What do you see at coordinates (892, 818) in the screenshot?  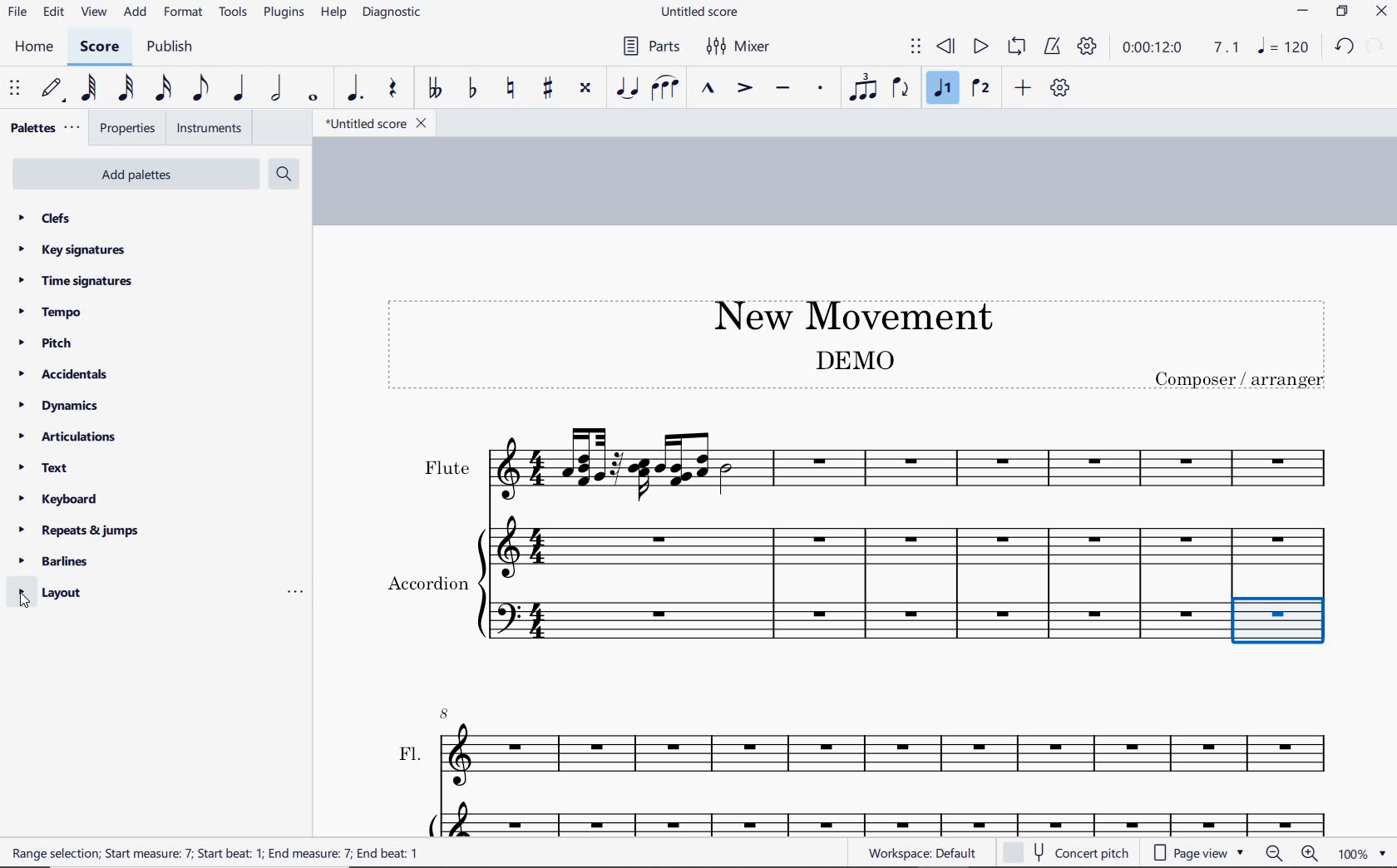 I see `Acc.` at bounding box center [892, 818].